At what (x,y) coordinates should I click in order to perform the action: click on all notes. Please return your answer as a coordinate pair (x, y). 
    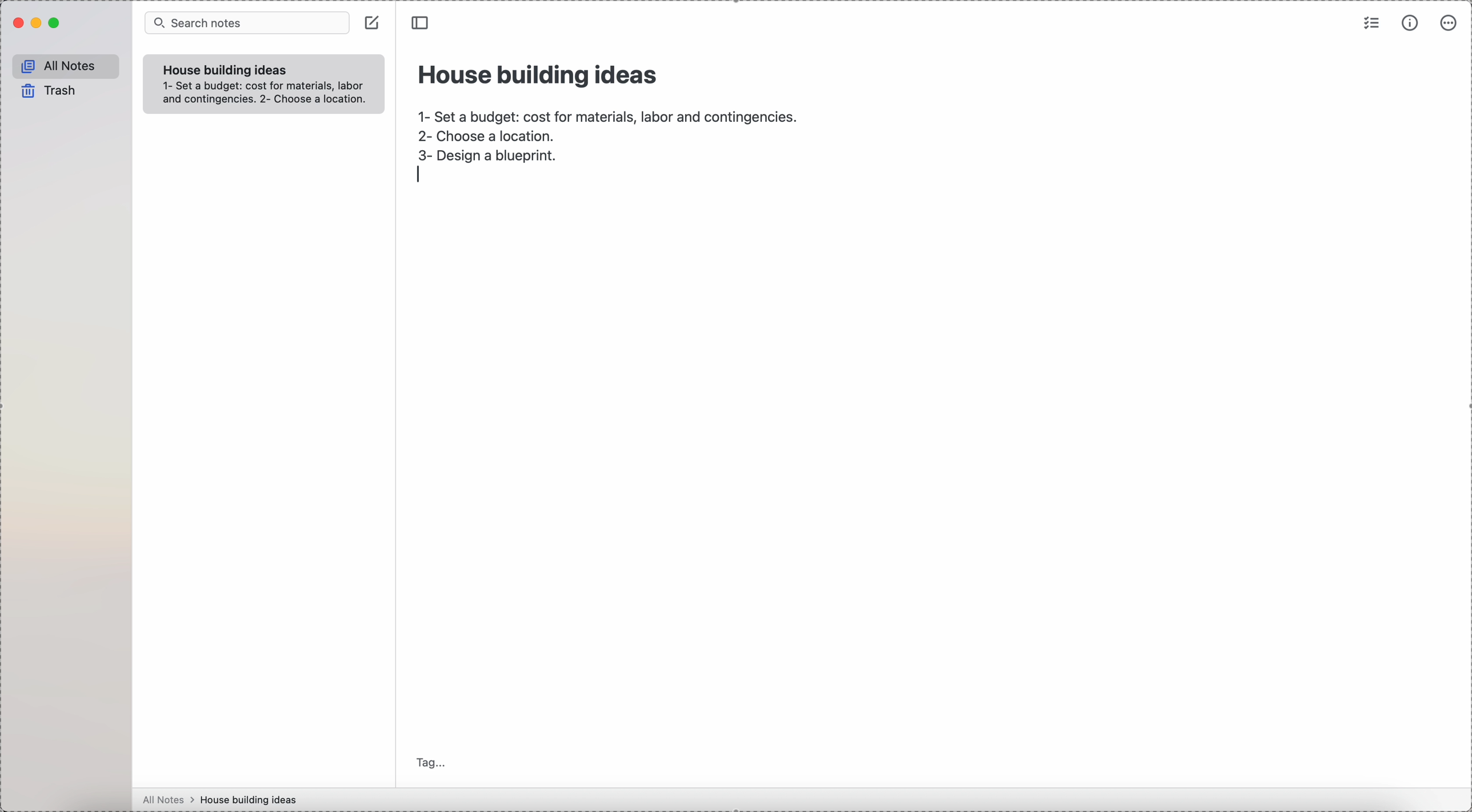
    Looking at the image, I should click on (66, 66).